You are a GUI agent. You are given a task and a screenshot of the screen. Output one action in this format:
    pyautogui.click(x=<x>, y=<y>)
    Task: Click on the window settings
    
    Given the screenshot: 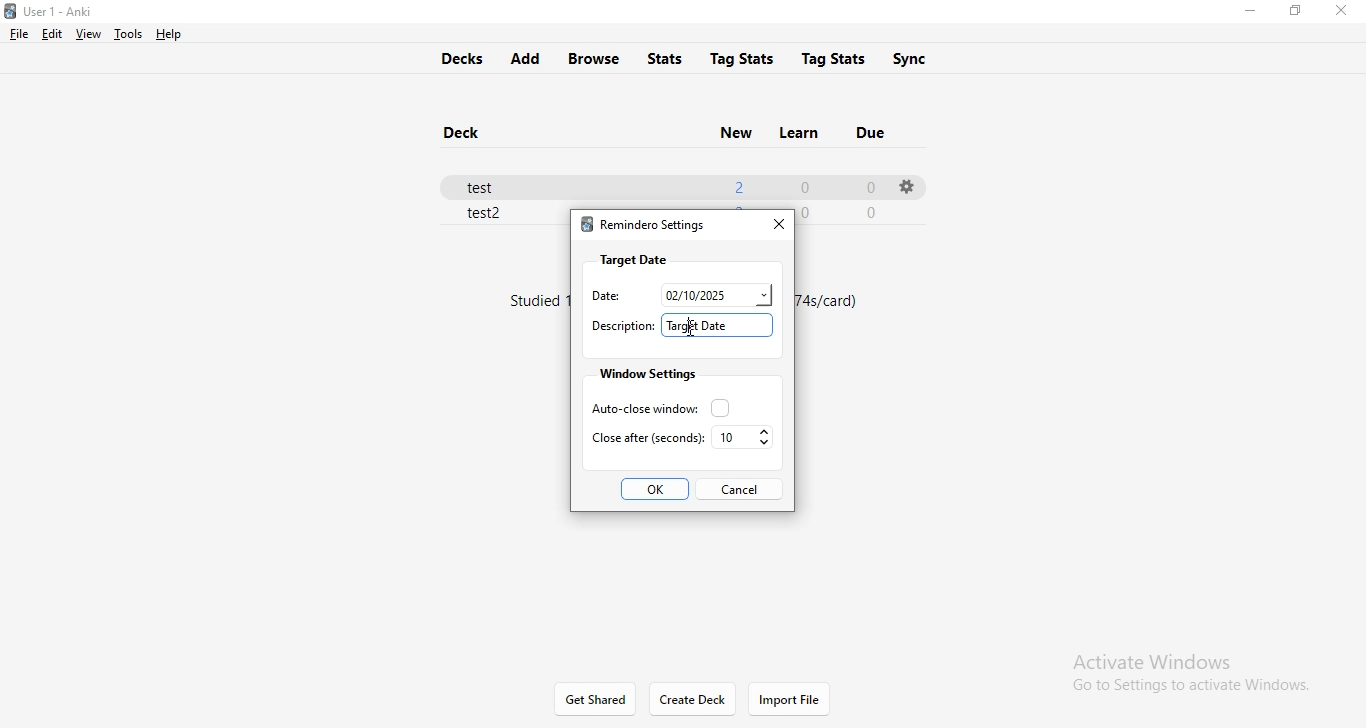 What is the action you would take?
    pyautogui.click(x=645, y=374)
    